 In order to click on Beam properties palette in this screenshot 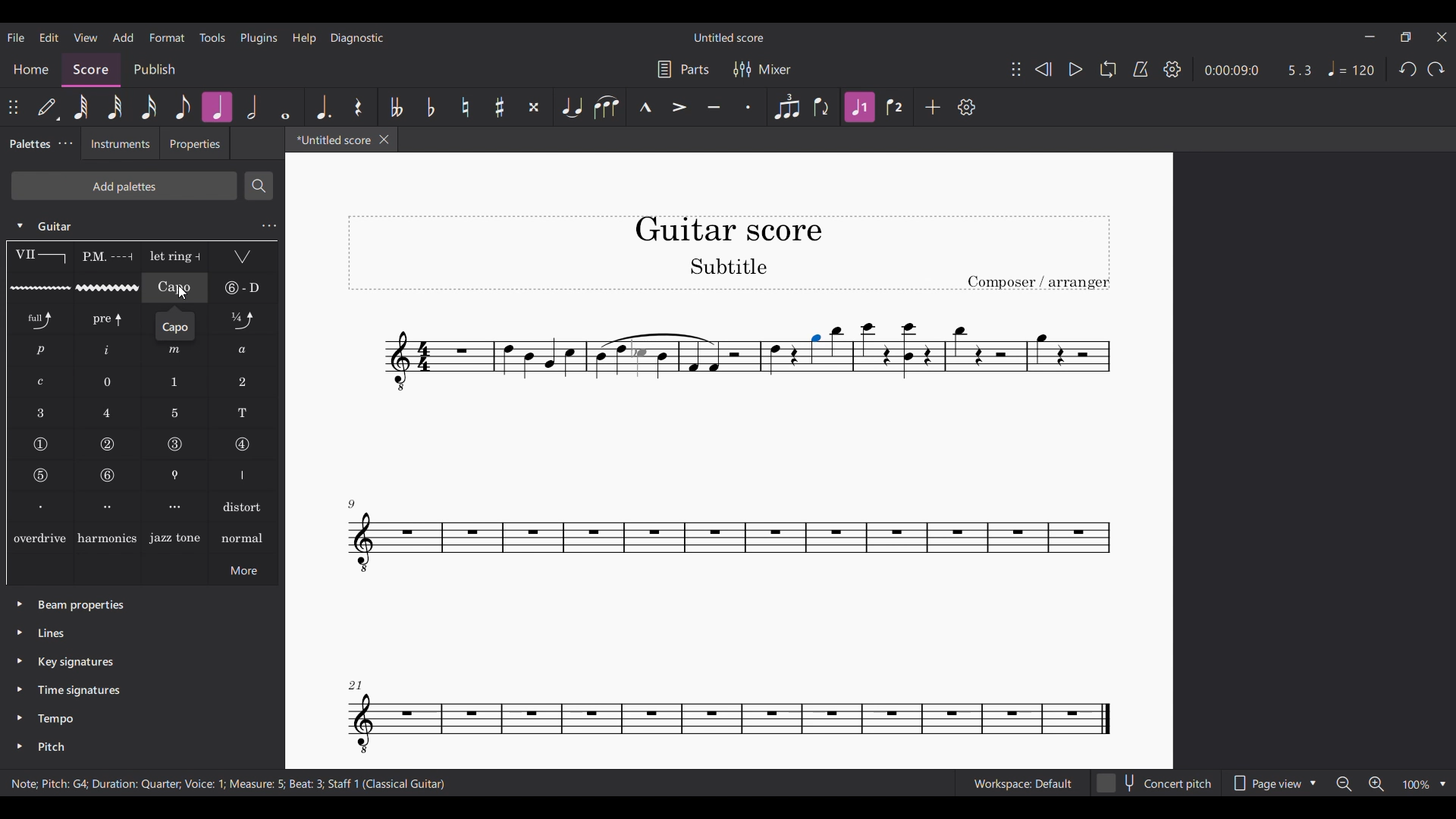, I will do `click(81, 606)`.